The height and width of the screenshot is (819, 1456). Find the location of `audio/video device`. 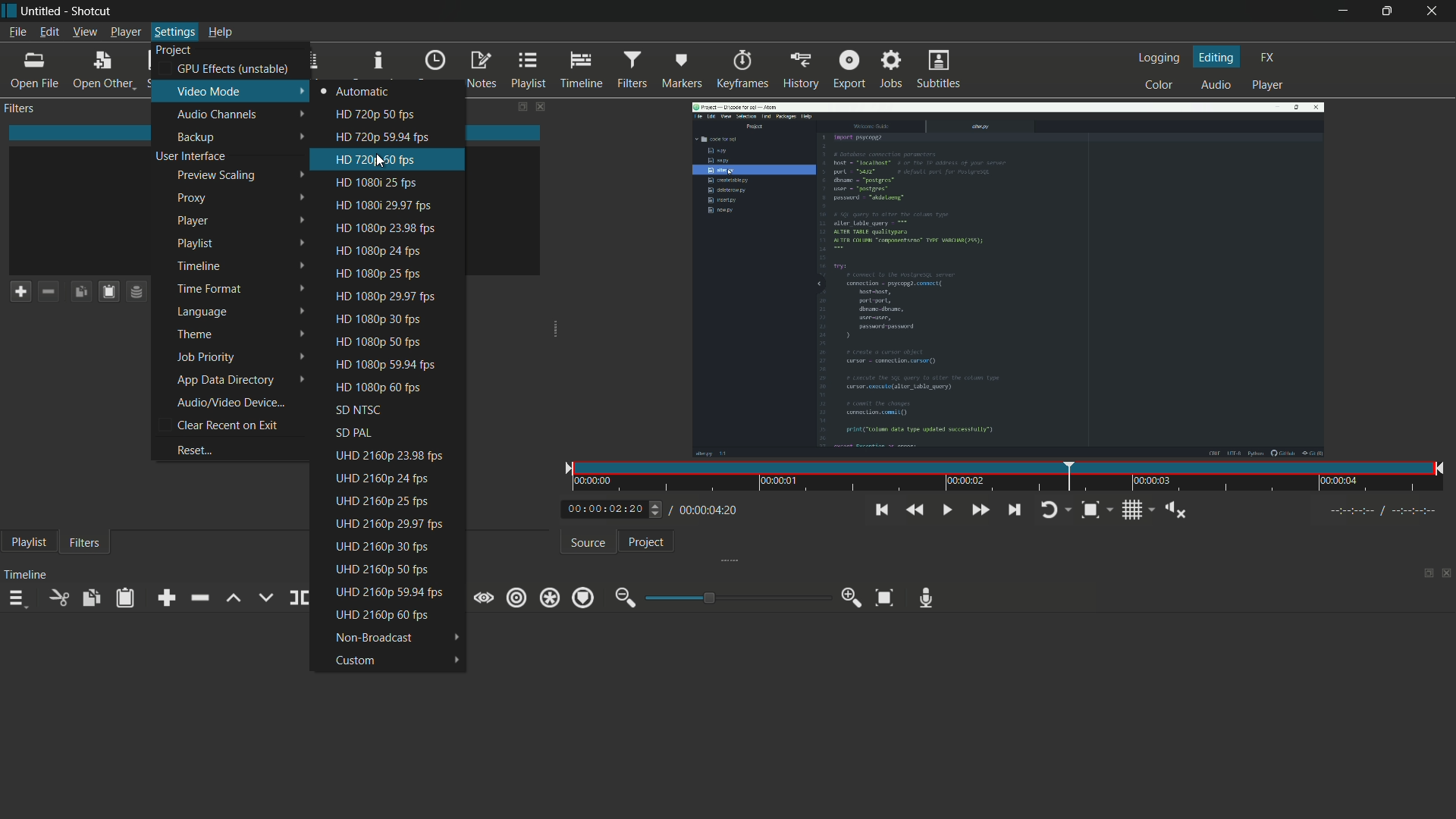

audio/video device is located at coordinates (243, 402).